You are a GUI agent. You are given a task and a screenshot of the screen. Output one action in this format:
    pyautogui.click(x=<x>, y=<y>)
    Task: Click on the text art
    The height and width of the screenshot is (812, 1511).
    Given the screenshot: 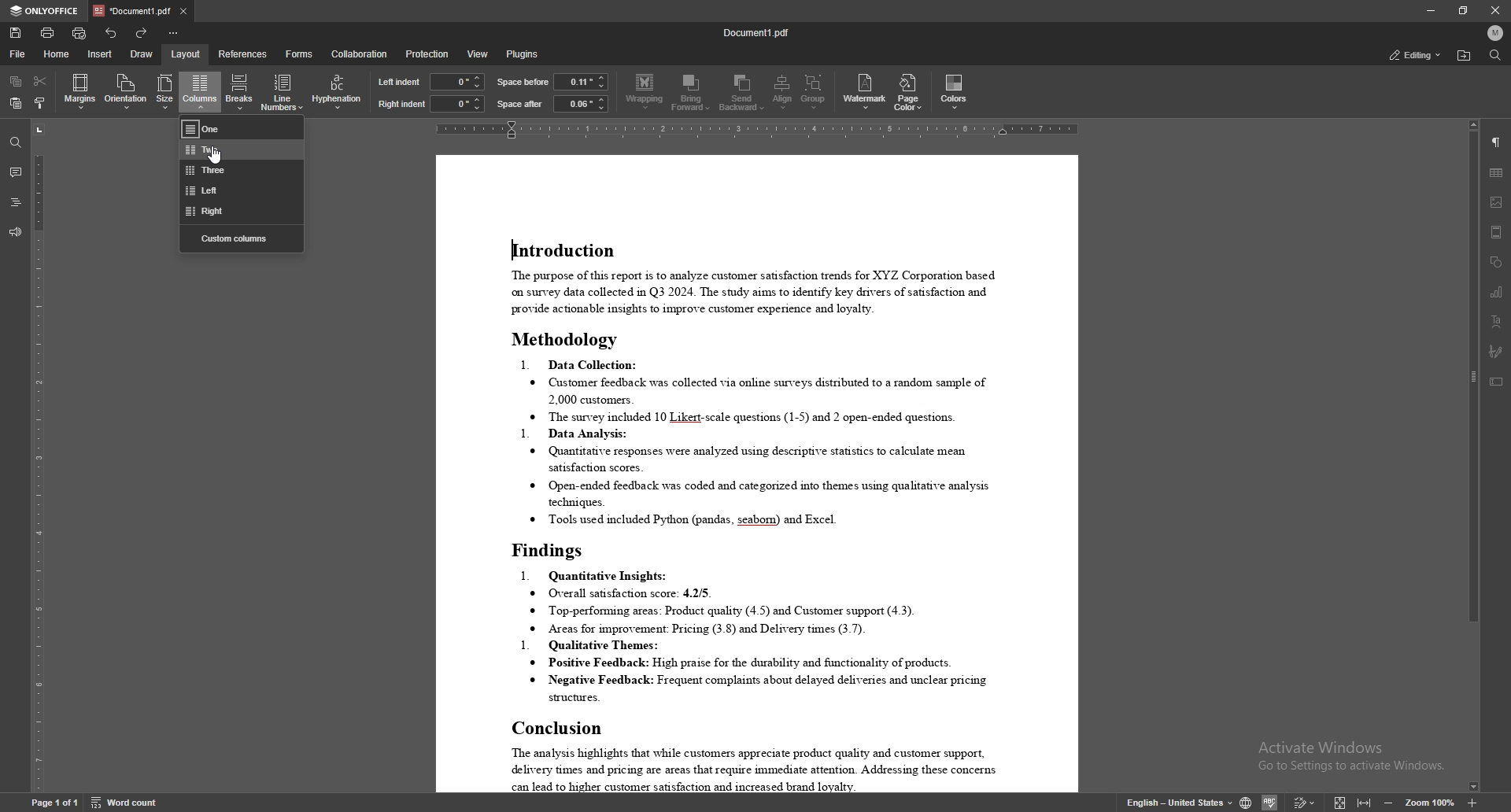 What is the action you would take?
    pyautogui.click(x=1497, y=322)
    